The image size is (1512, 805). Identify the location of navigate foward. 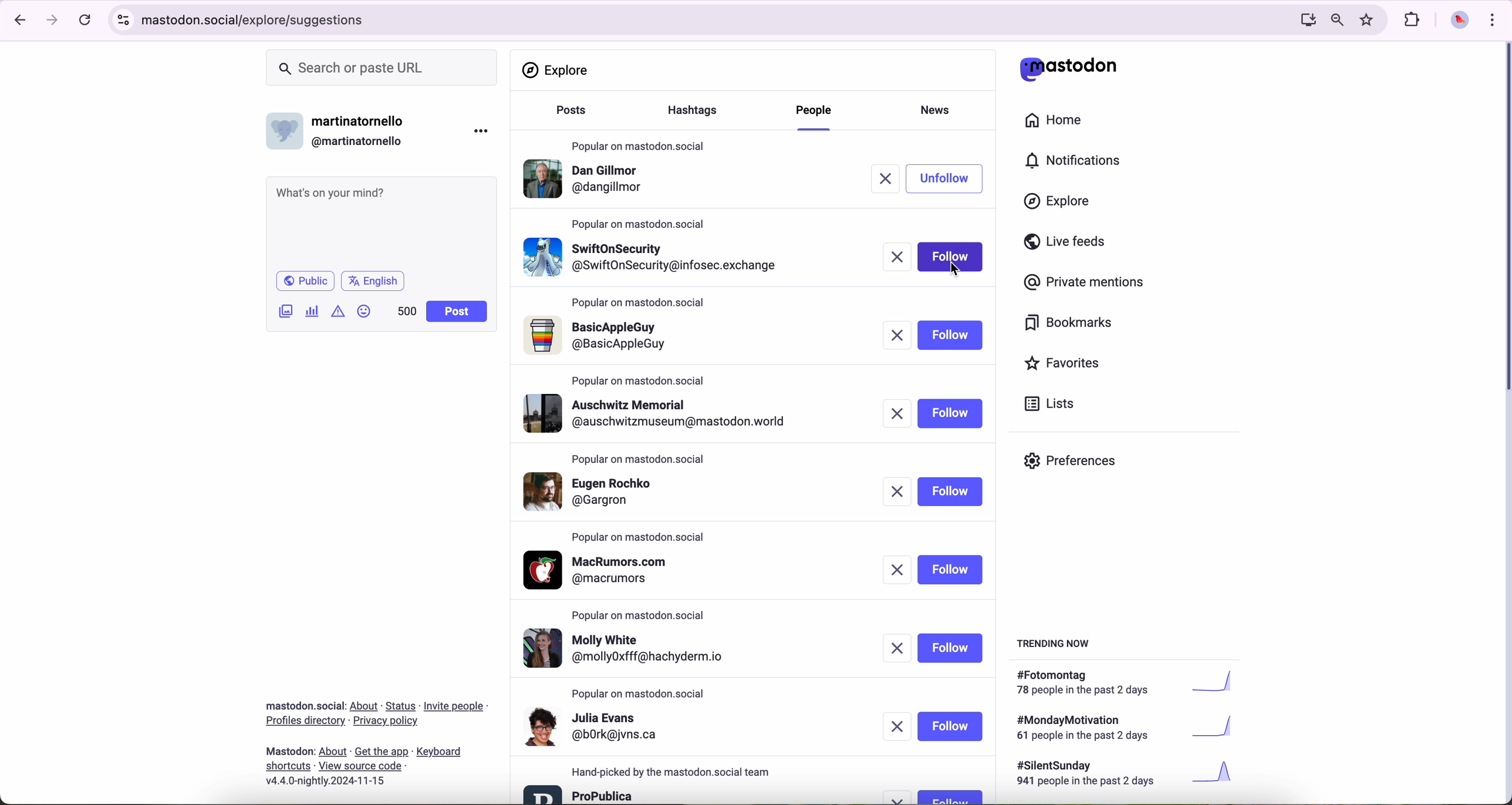
(53, 21).